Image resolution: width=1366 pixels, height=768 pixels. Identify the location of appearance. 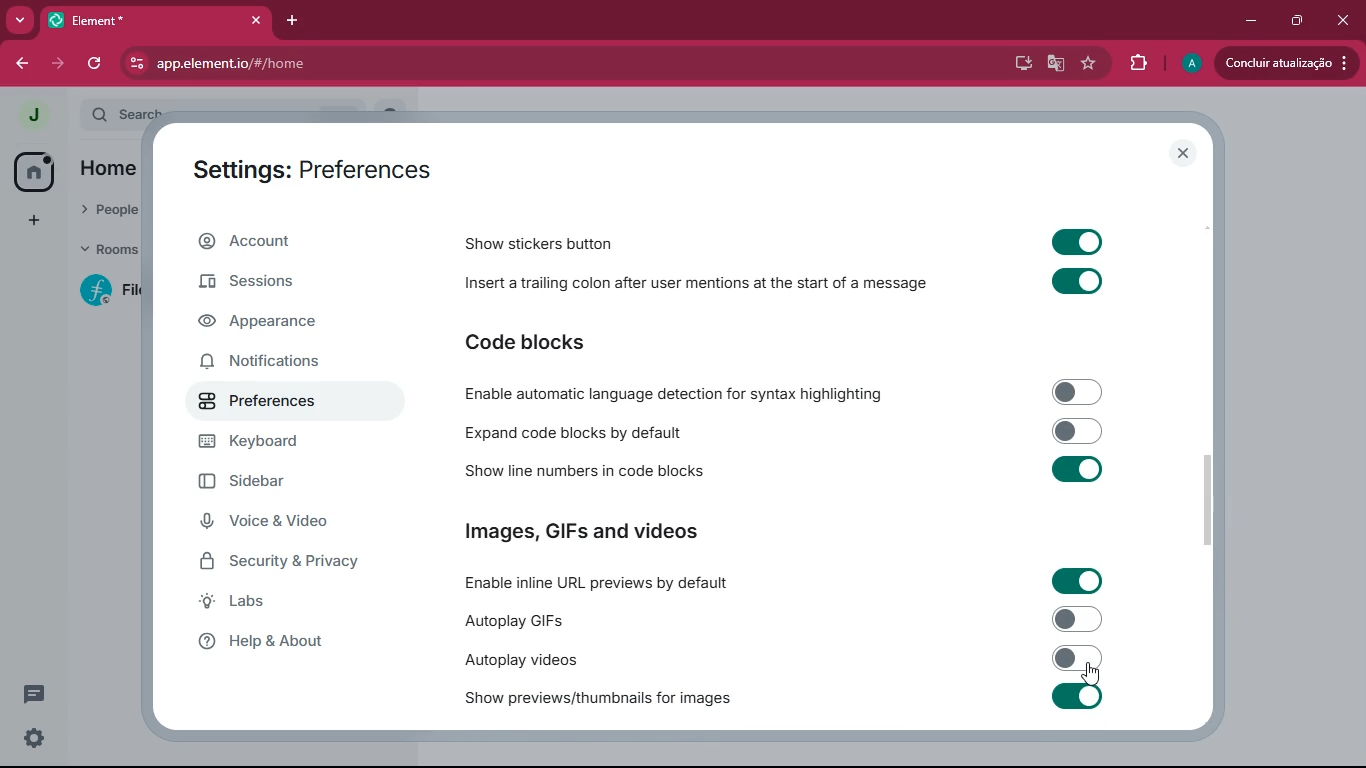
(272, 325).